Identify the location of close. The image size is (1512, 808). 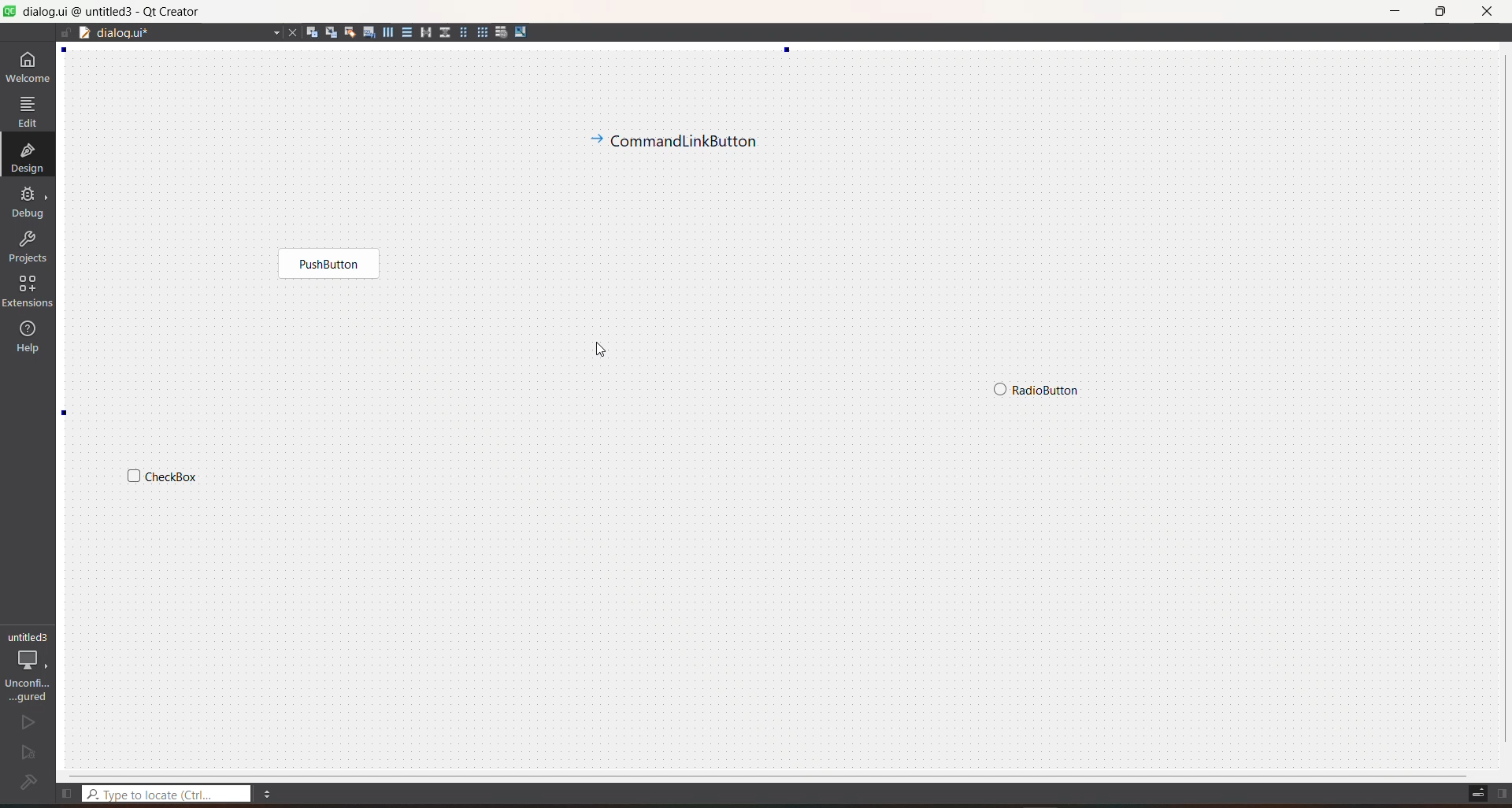
(1485, 12).